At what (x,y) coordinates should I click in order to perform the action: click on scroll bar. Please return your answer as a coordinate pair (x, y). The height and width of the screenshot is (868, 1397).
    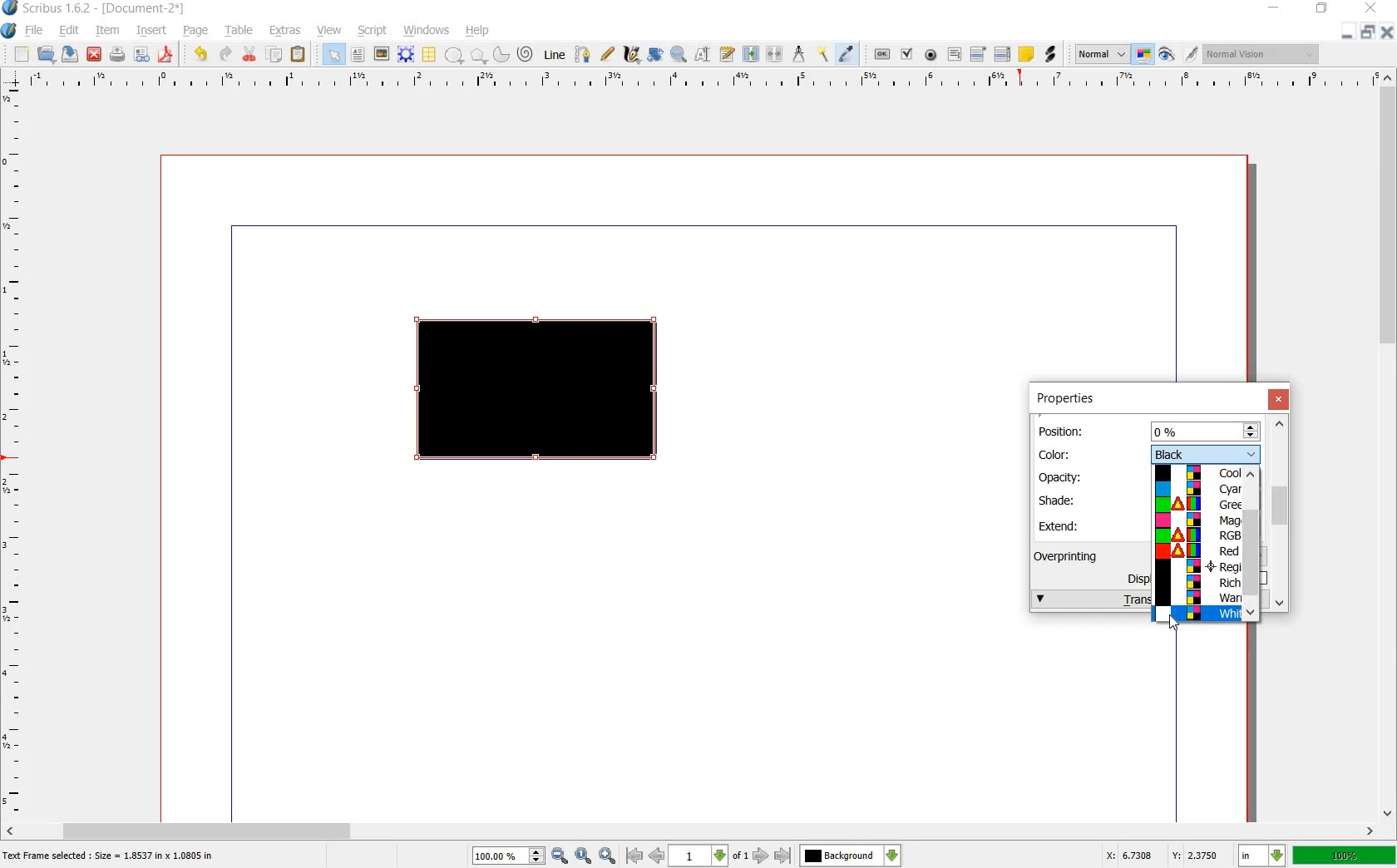
    Looking at the image, I should click on (1389, 446).